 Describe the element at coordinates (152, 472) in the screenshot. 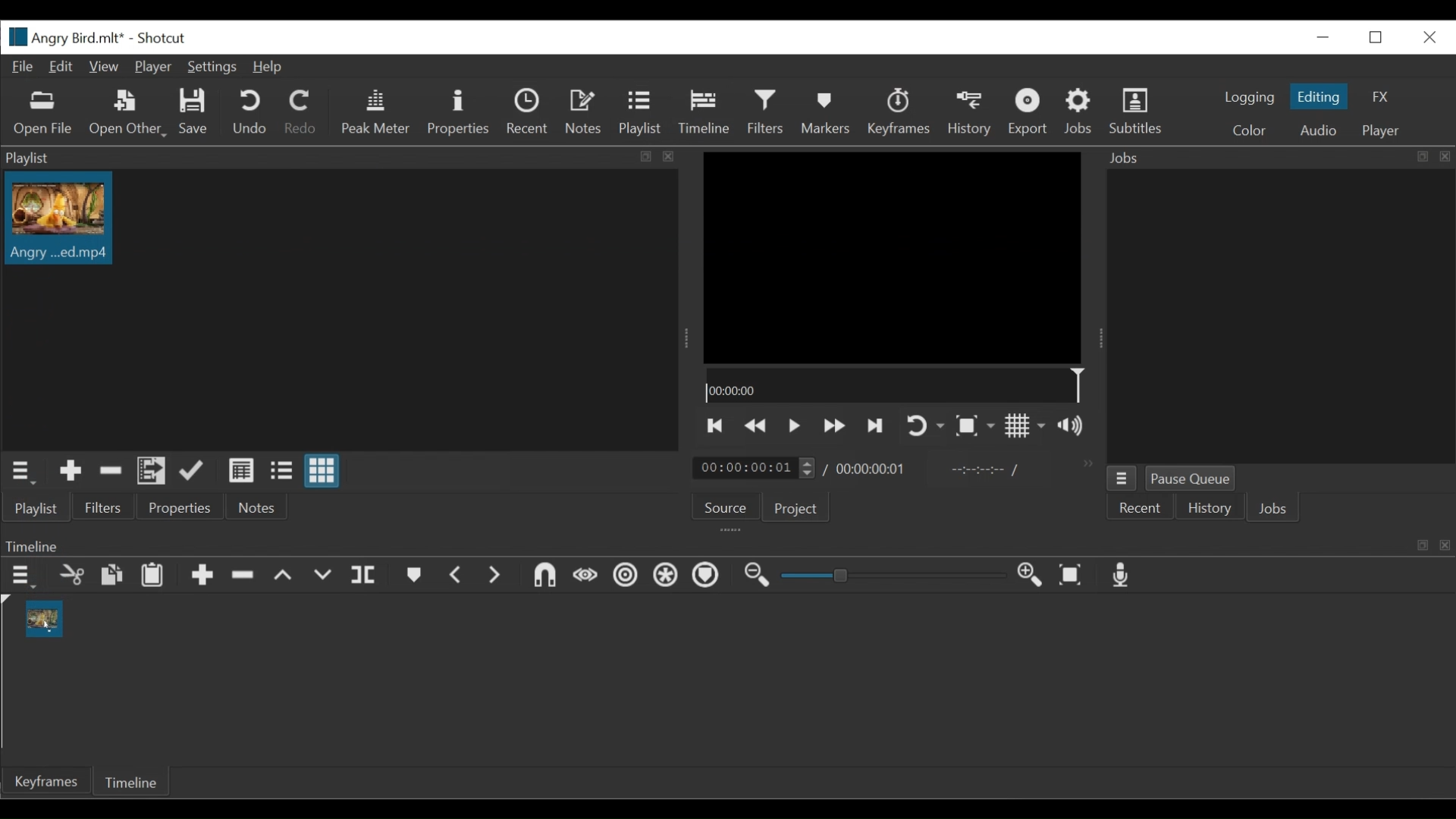

I see `Add files to the playlist` at that location.